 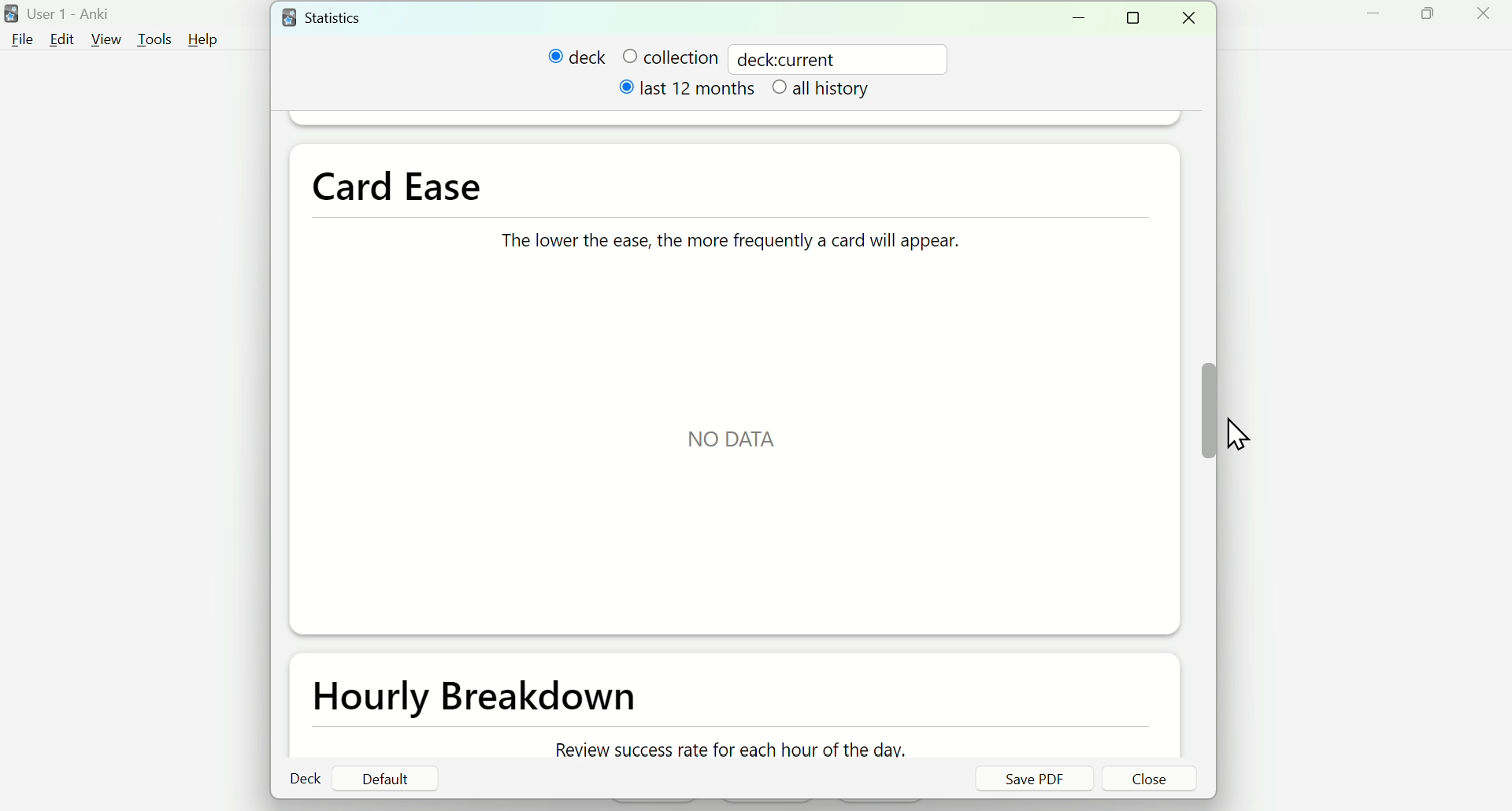 I want to click on NoData, so click(x=736, y=440).